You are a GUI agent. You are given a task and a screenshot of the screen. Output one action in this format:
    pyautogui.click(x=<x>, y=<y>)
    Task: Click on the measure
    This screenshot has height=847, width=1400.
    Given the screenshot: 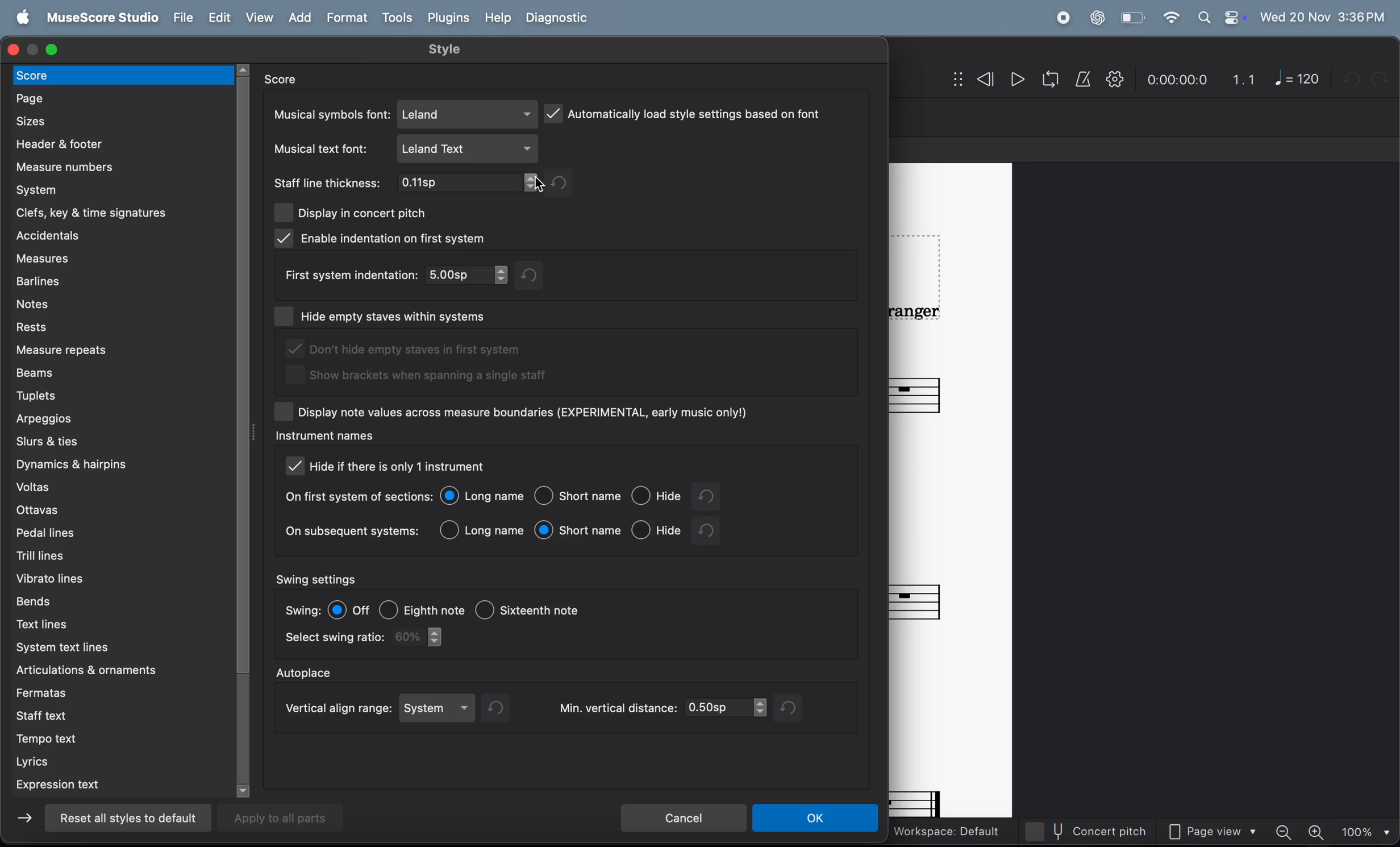 What is the action you would take?
    pyautogui.click(x=111, y=167)
    